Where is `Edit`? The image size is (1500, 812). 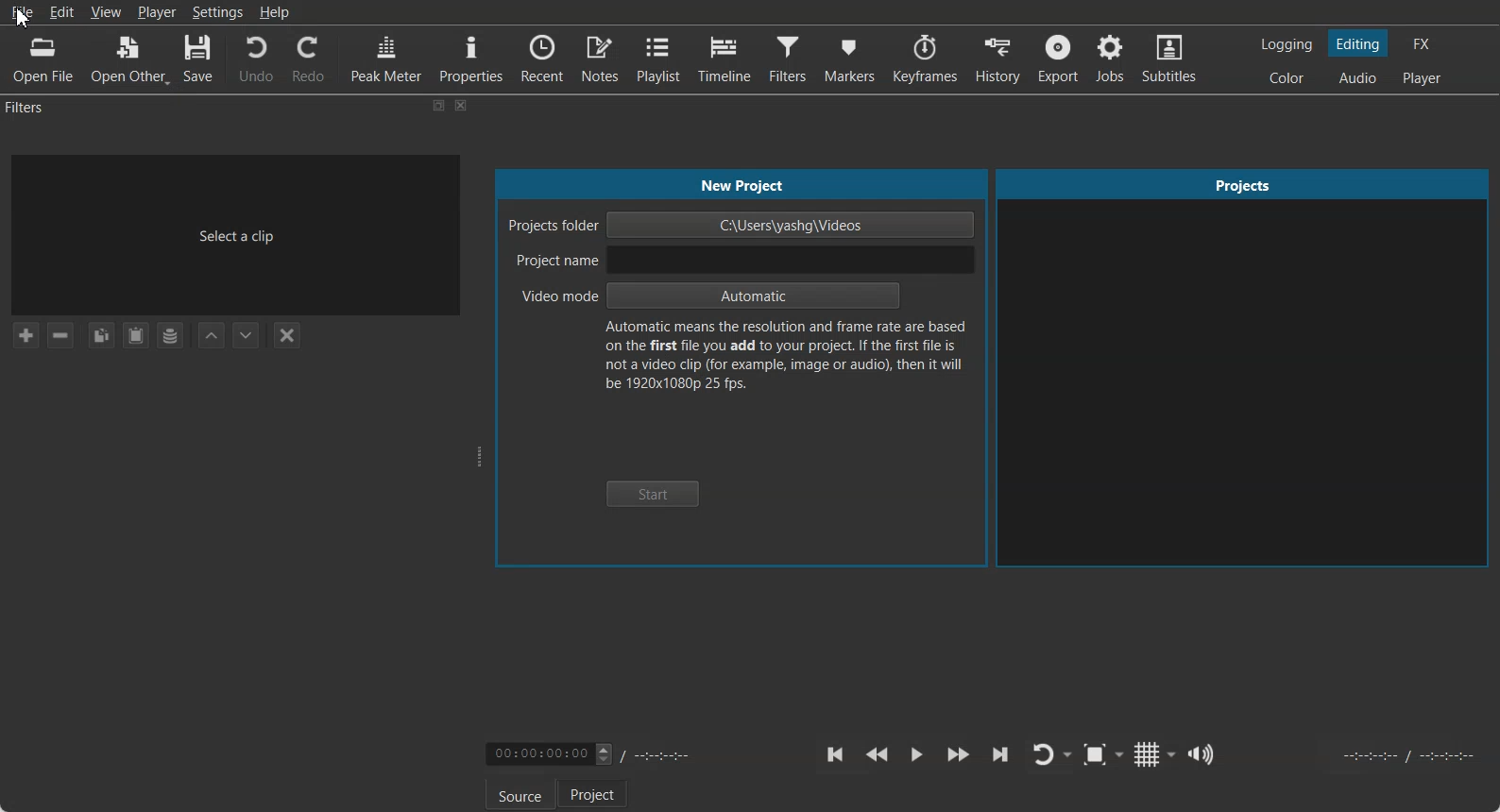
Edit is located at coordinates (62, 11).